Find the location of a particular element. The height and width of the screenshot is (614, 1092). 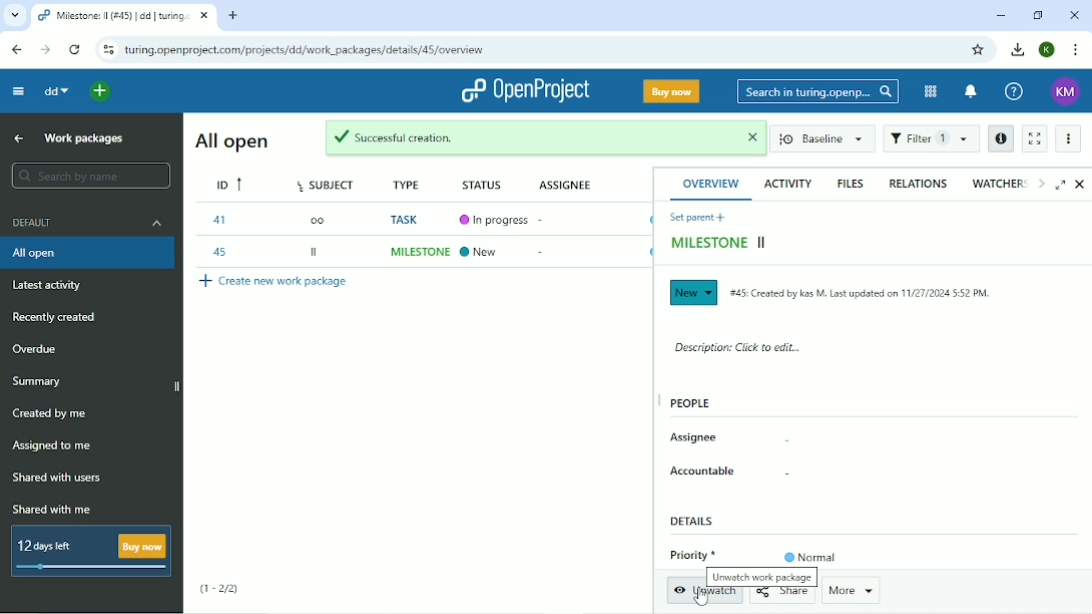

Collapse project menu is located at coordinates (19, 92).